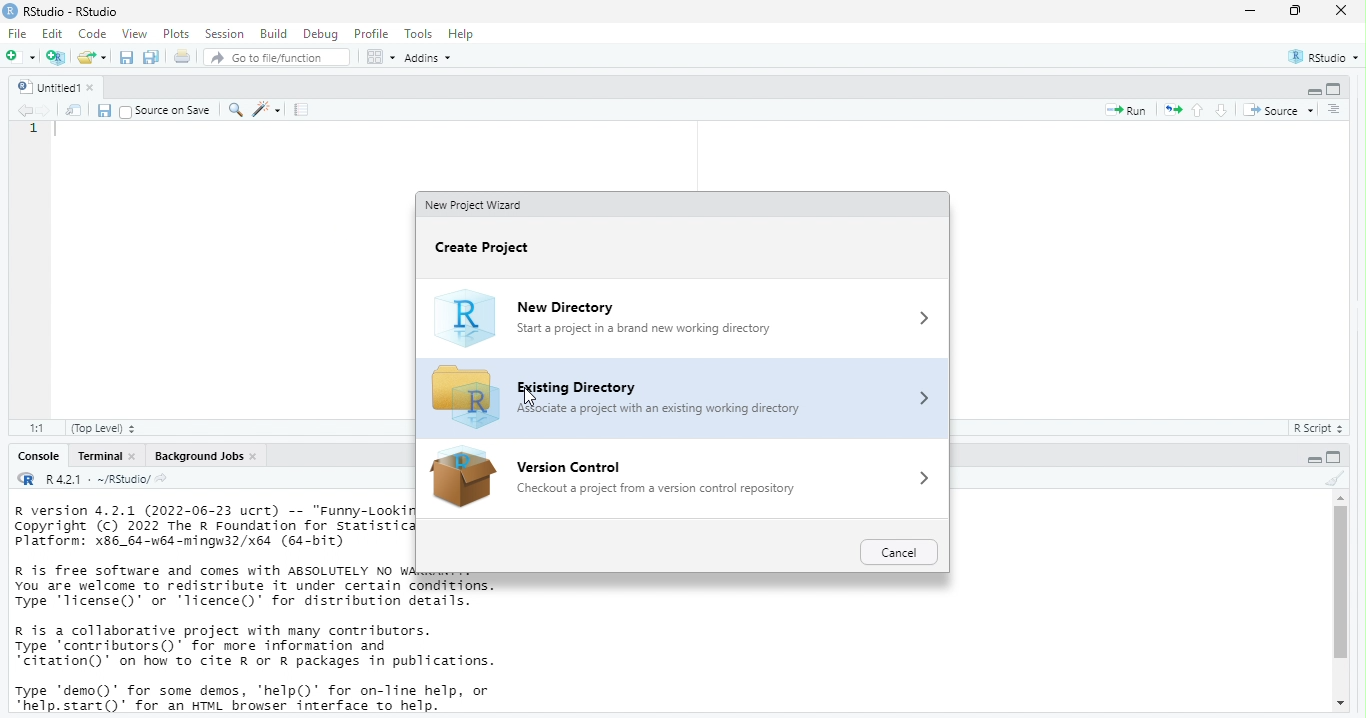  Describe the element at coordinates (92, 33) in the screenshot. I see `code` at that location.